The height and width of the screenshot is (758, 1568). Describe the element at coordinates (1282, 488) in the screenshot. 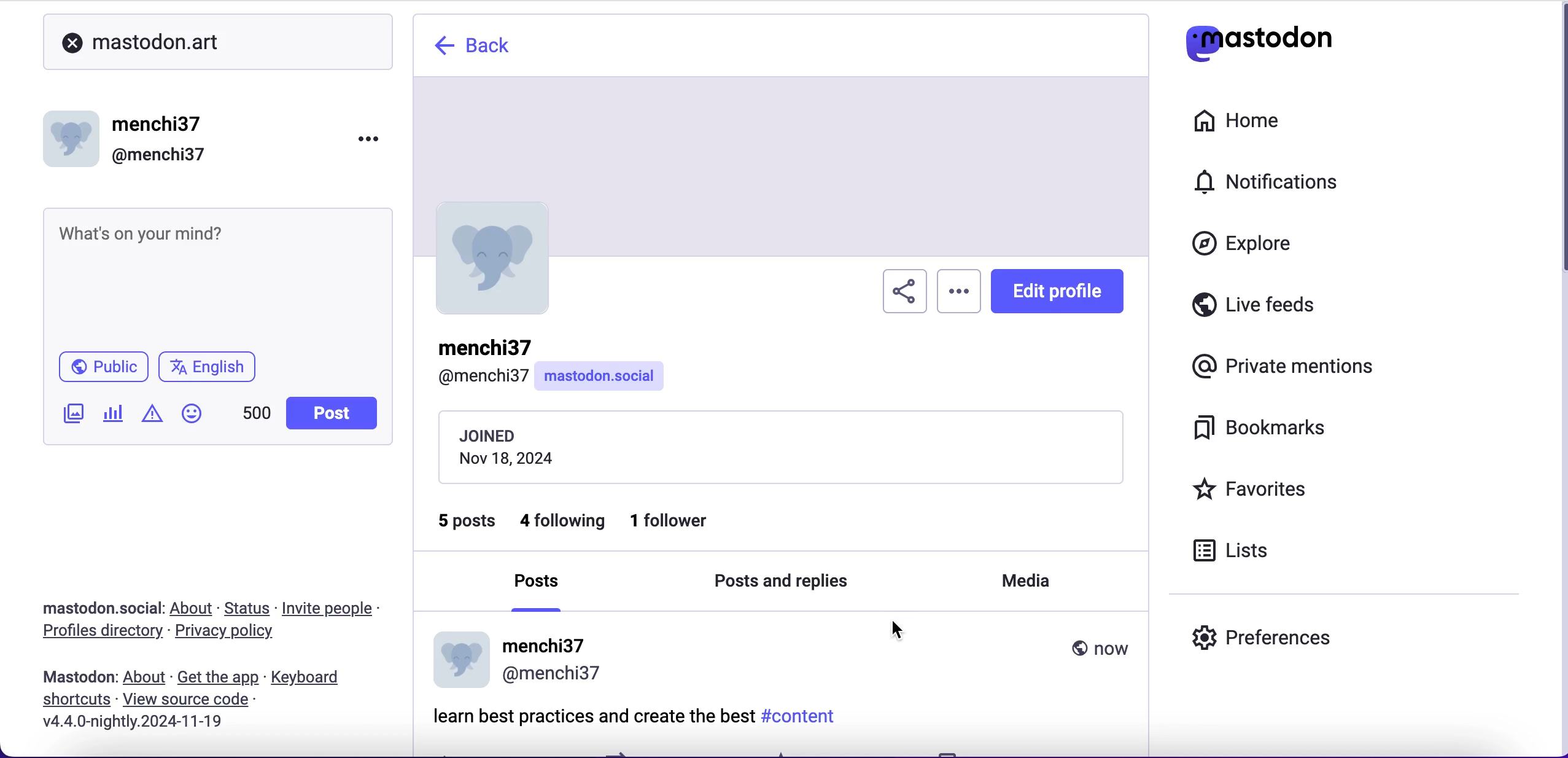

I see `favorites` at that location.